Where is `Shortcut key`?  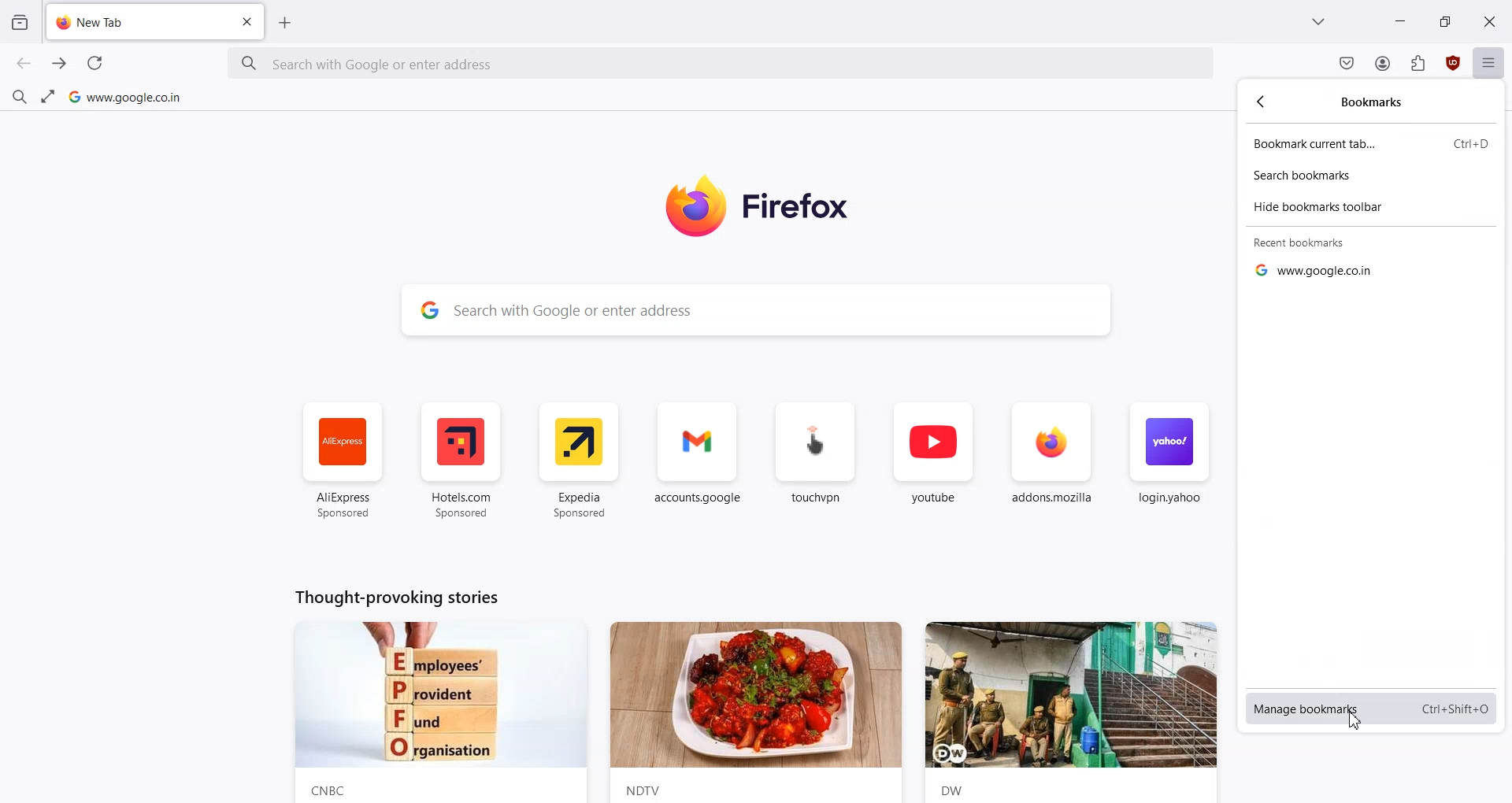
Shortcut key is located at coordinates (1473, 143).